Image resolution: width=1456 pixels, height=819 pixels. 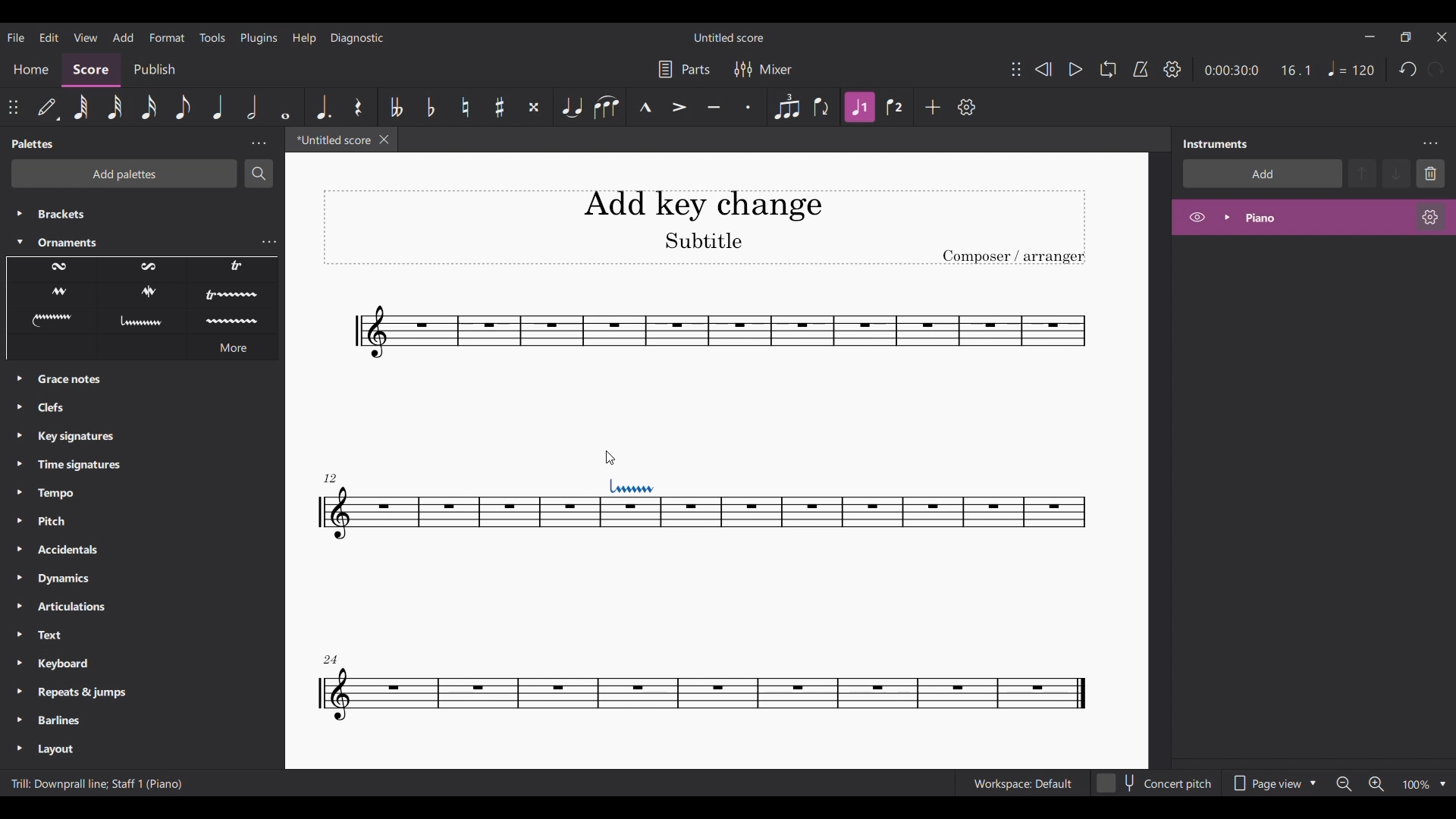 I want to click on Zoom options, so click(x=1443, y=784).